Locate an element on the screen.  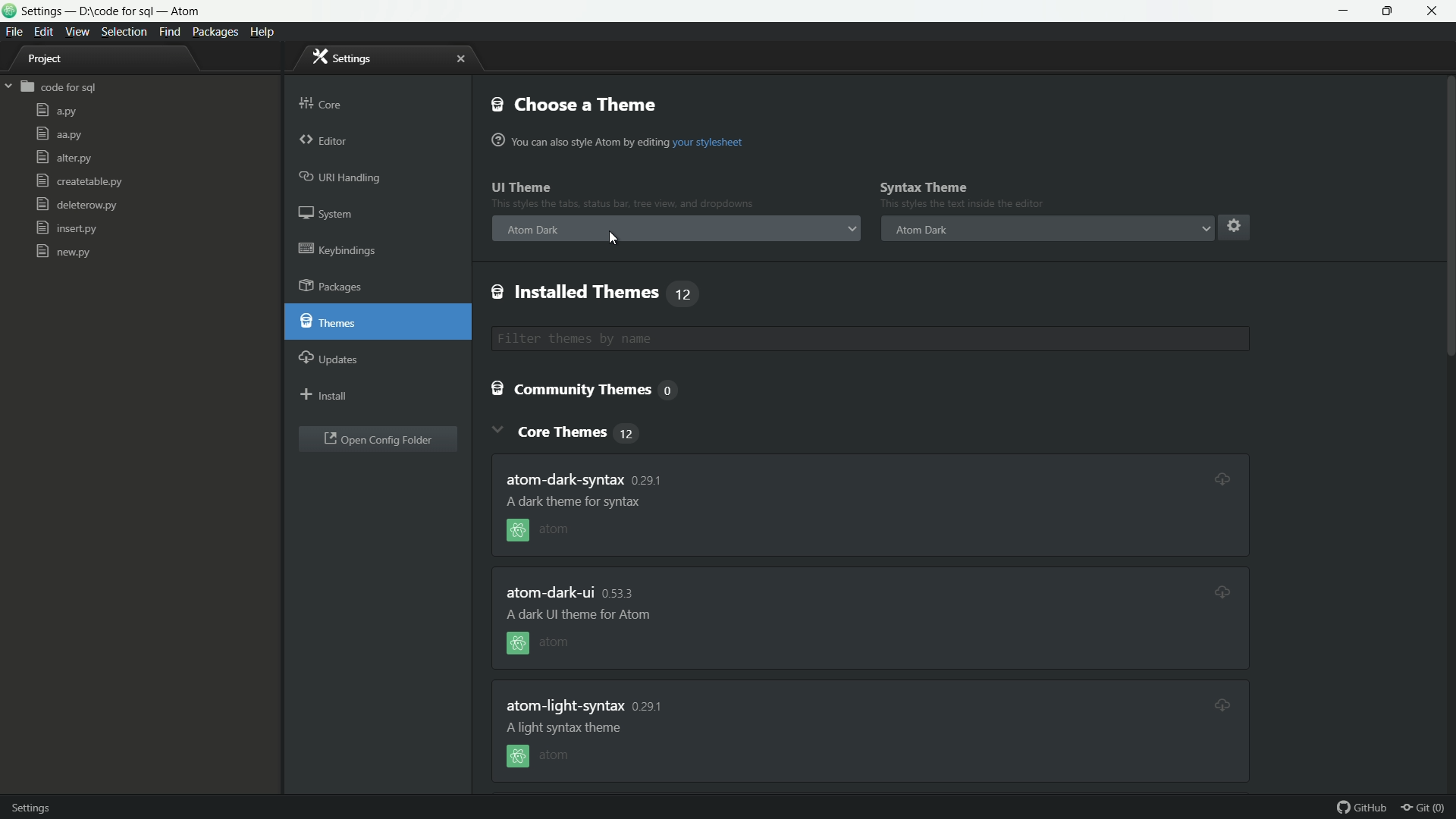
atom dark is located at coordinates (535, 229).